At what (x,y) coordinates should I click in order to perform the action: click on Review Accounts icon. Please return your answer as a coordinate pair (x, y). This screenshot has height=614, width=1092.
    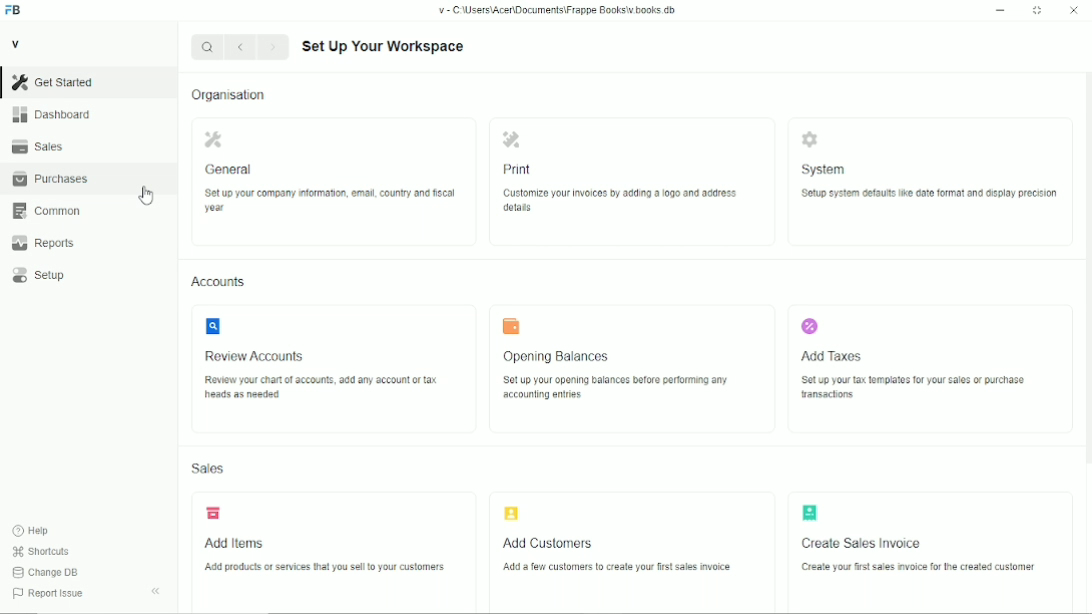
    Looking at the image, I should click on (212, 326).